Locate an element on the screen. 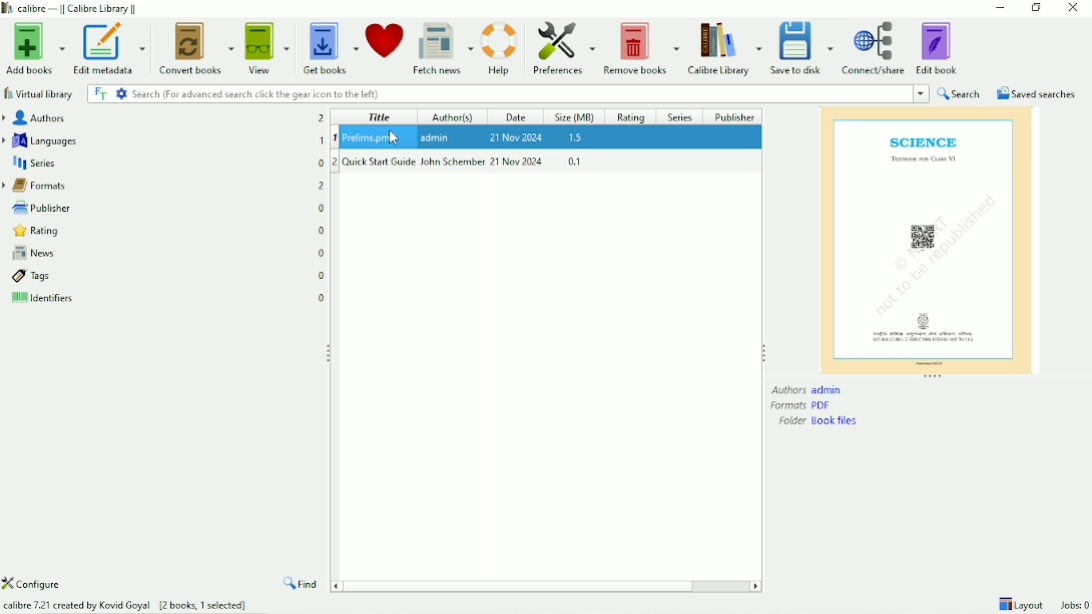 Image resolution: width=1092 pixels, height=614 pixels. 0 is located at coordinates (322, 296).